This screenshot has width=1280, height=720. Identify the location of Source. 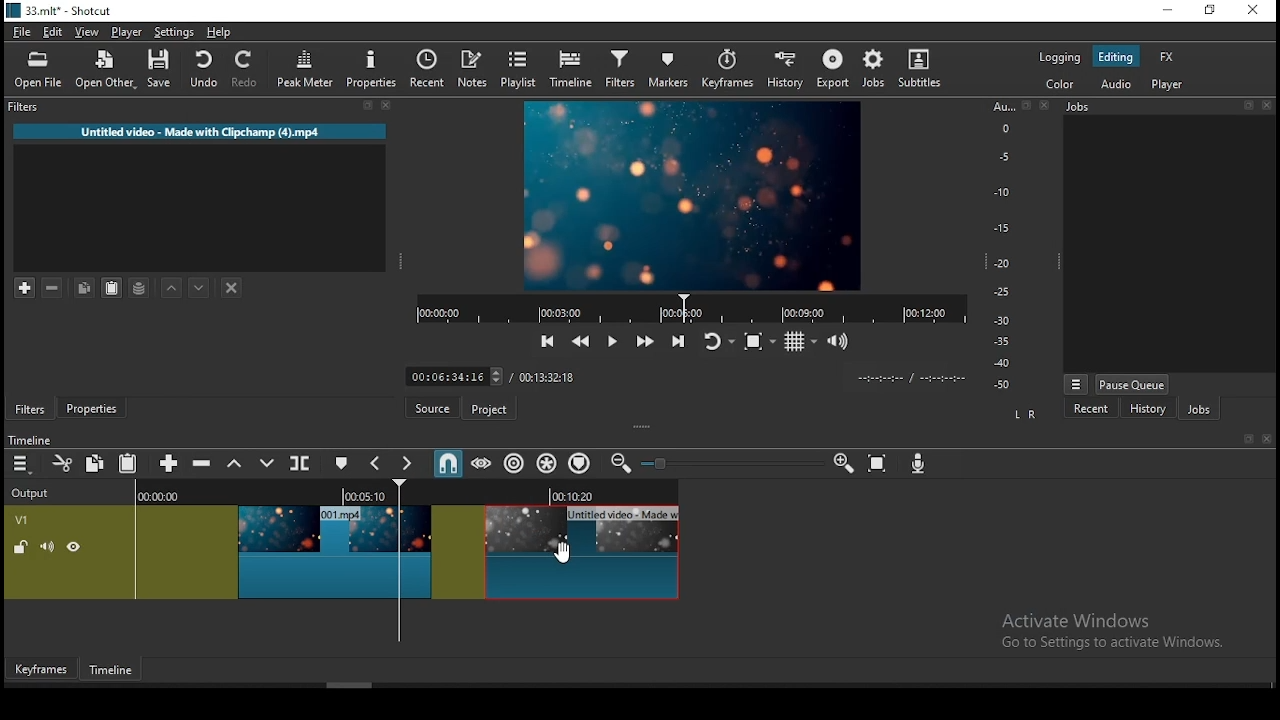
(430, 408).